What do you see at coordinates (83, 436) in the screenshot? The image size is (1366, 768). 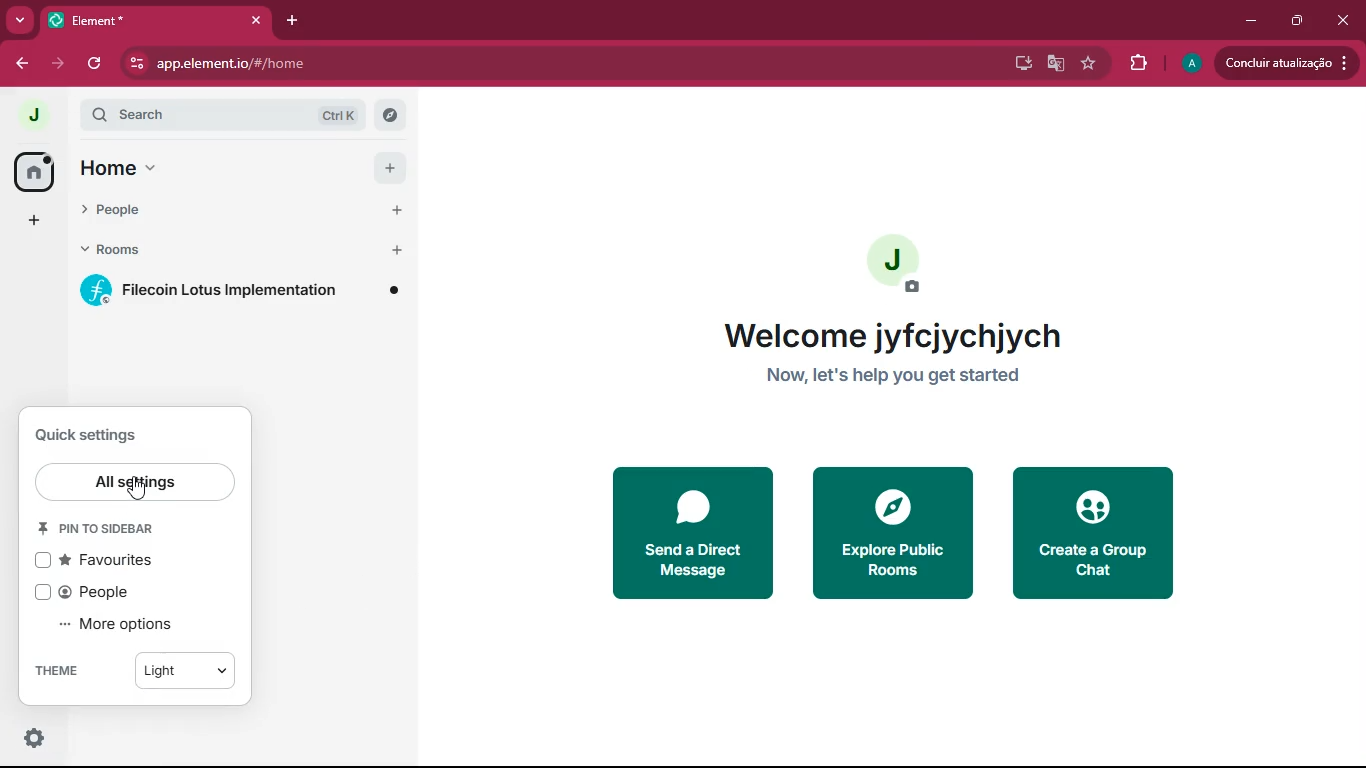 I see `quick settings` at bounding box center [83, 436].